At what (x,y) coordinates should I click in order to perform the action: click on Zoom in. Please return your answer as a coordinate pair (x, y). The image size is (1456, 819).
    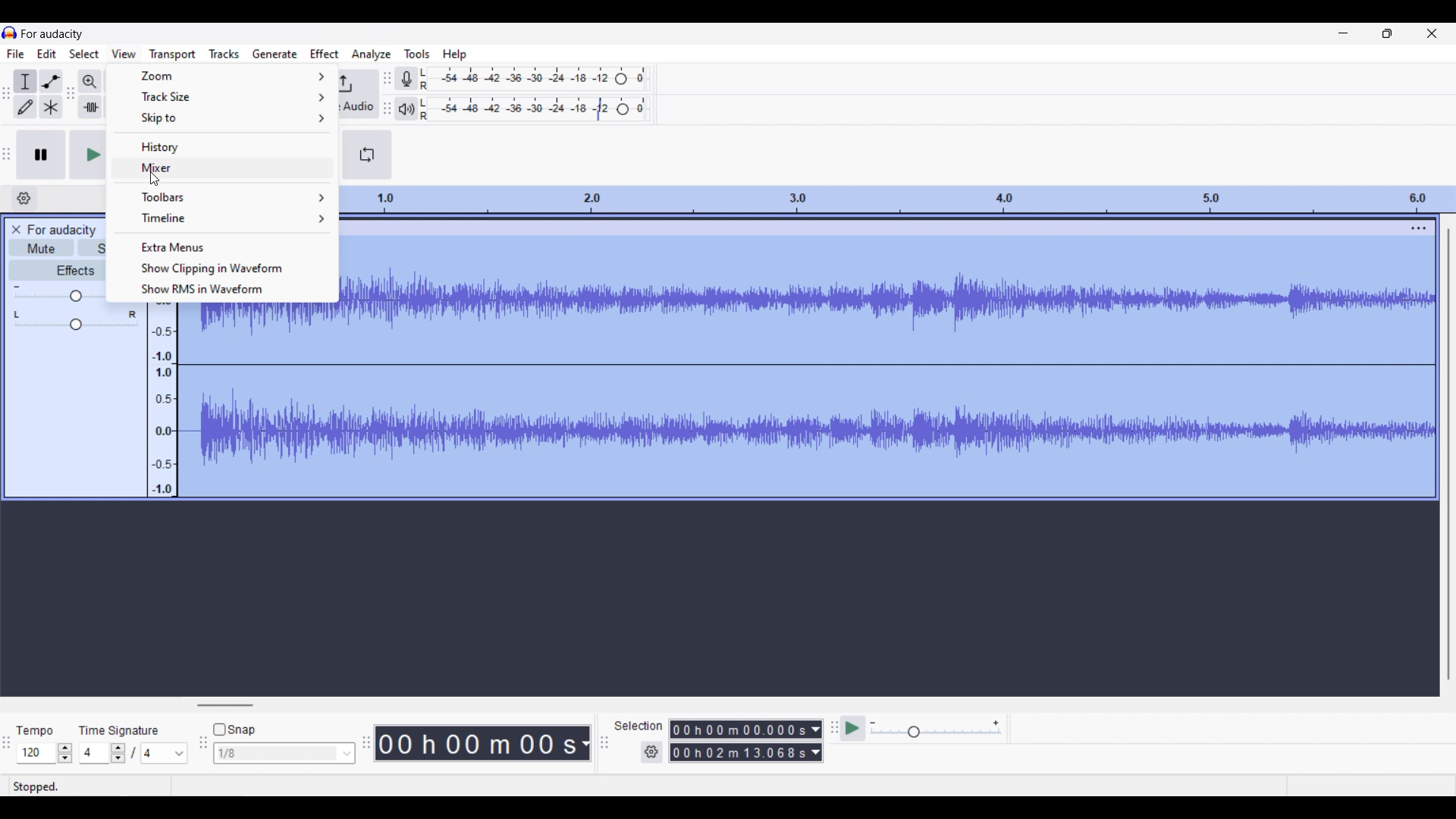
    Looking at the image, I should click on (89, 82).